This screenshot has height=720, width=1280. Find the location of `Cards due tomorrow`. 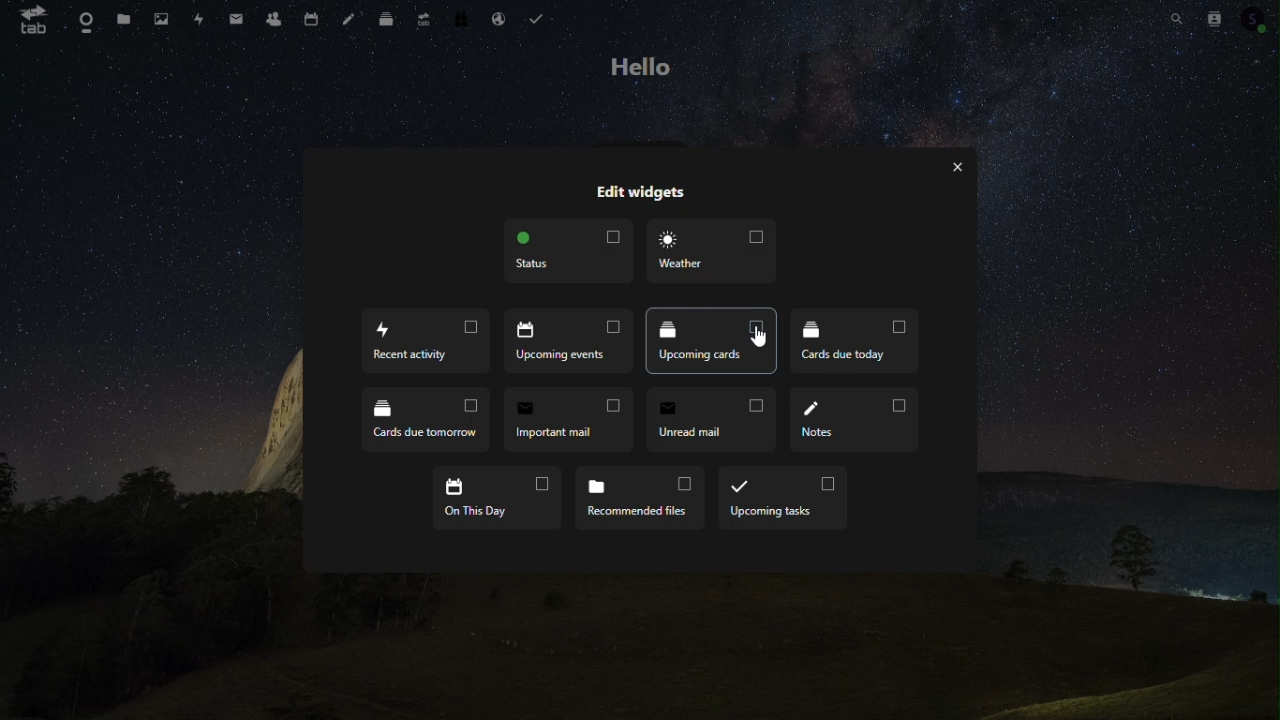

Cards due tomorrow is located at coordinates (414, 421).